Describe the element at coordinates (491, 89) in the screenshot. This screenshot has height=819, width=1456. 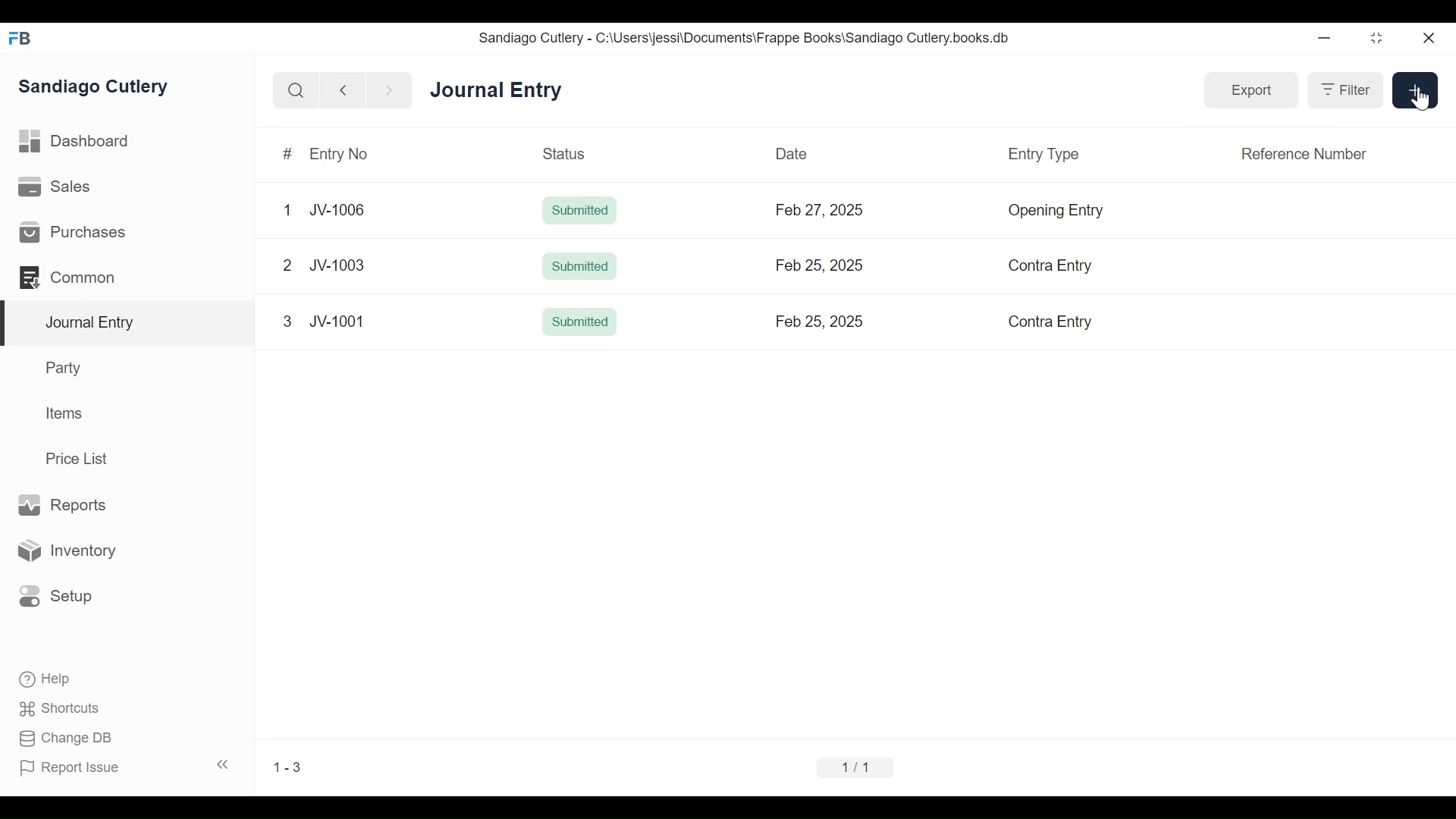
I see `Journal entry` at that location.